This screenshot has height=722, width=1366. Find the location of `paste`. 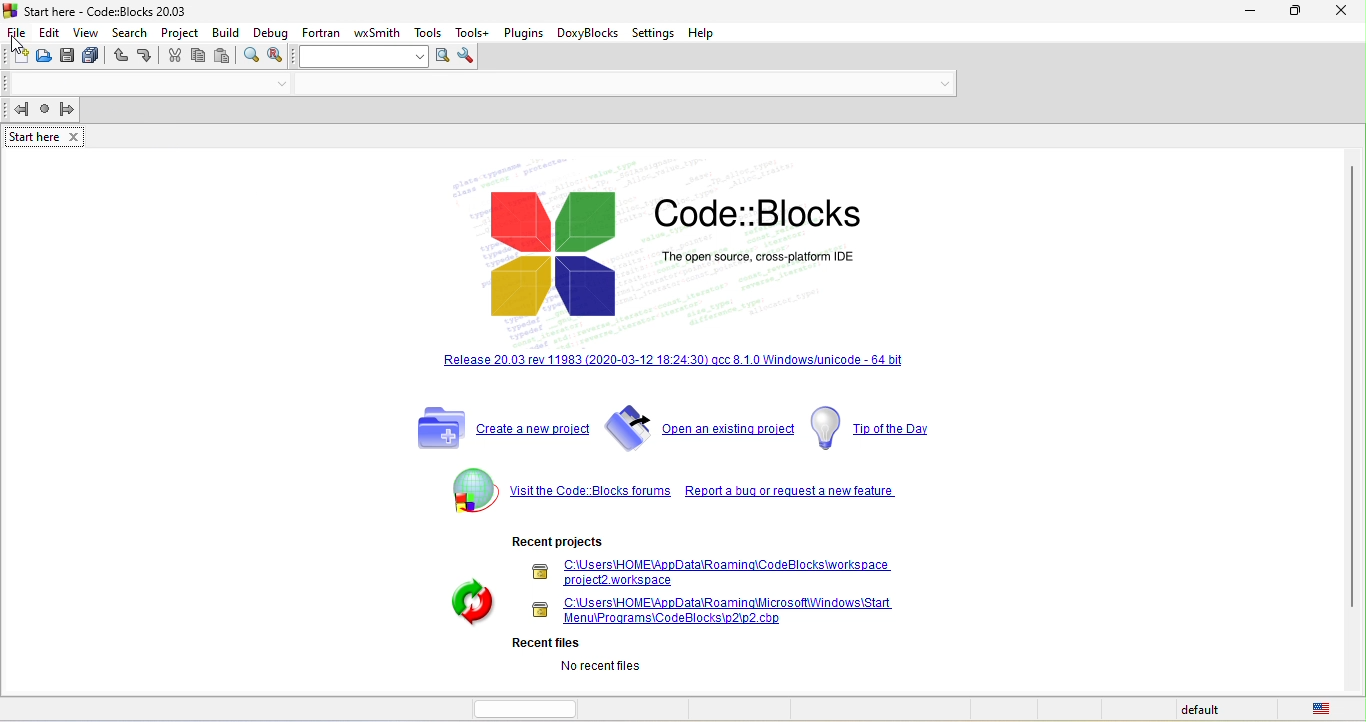

paste is located at coordinates (227, 57).